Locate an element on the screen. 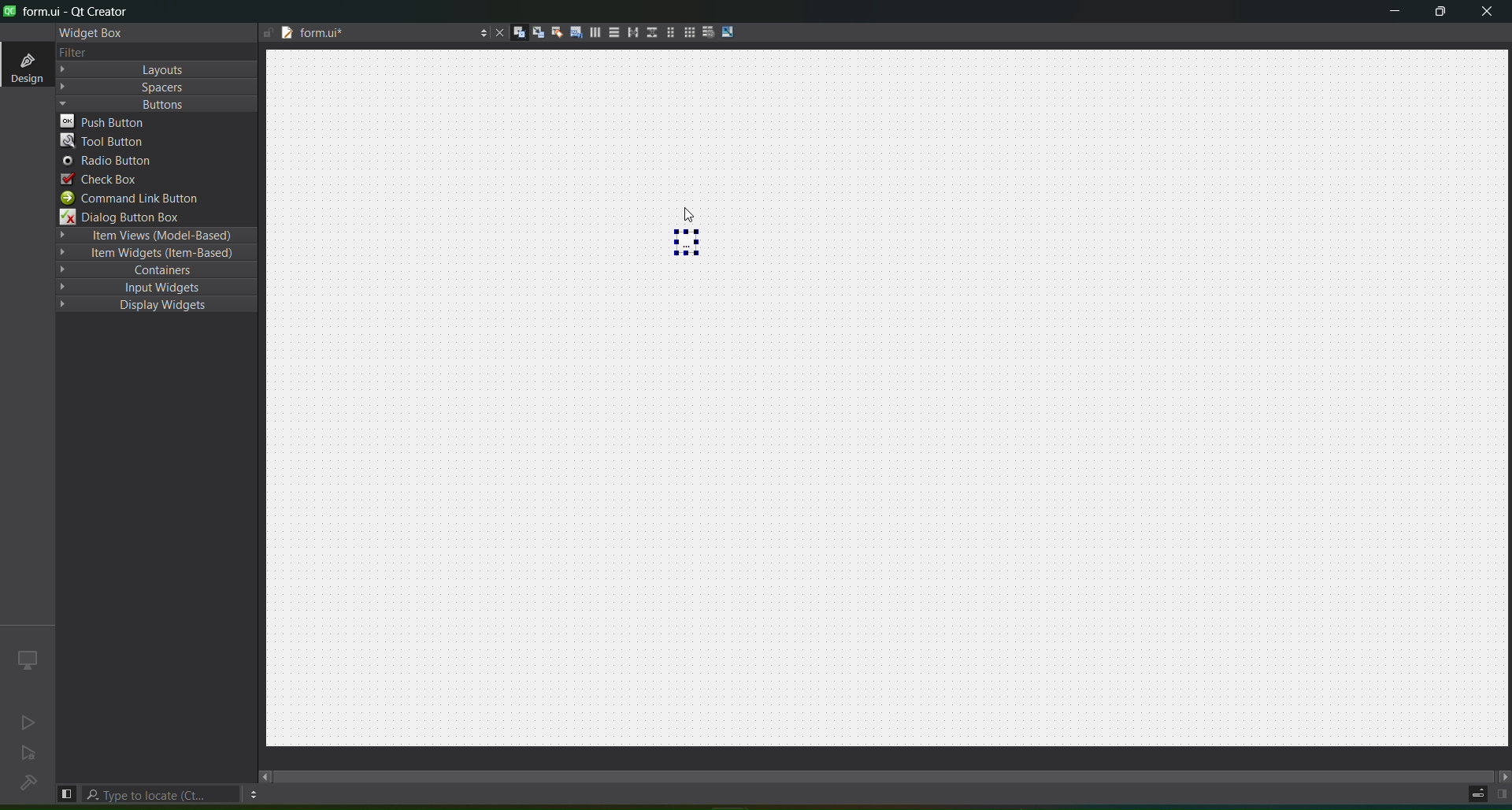  push button is located at coordinates (158, 121).